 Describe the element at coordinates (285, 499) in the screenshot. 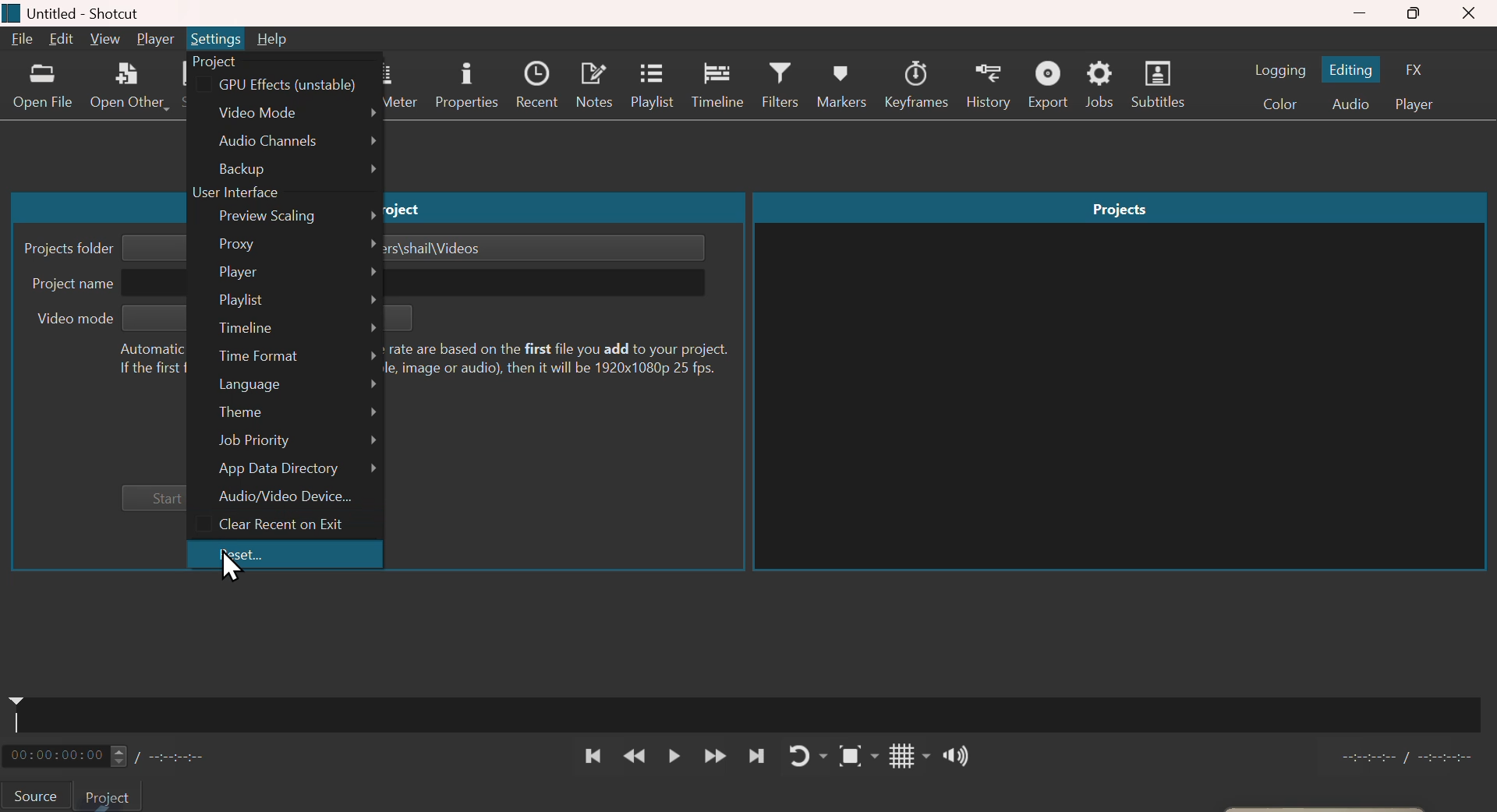

I see `Audio video device` at that location.